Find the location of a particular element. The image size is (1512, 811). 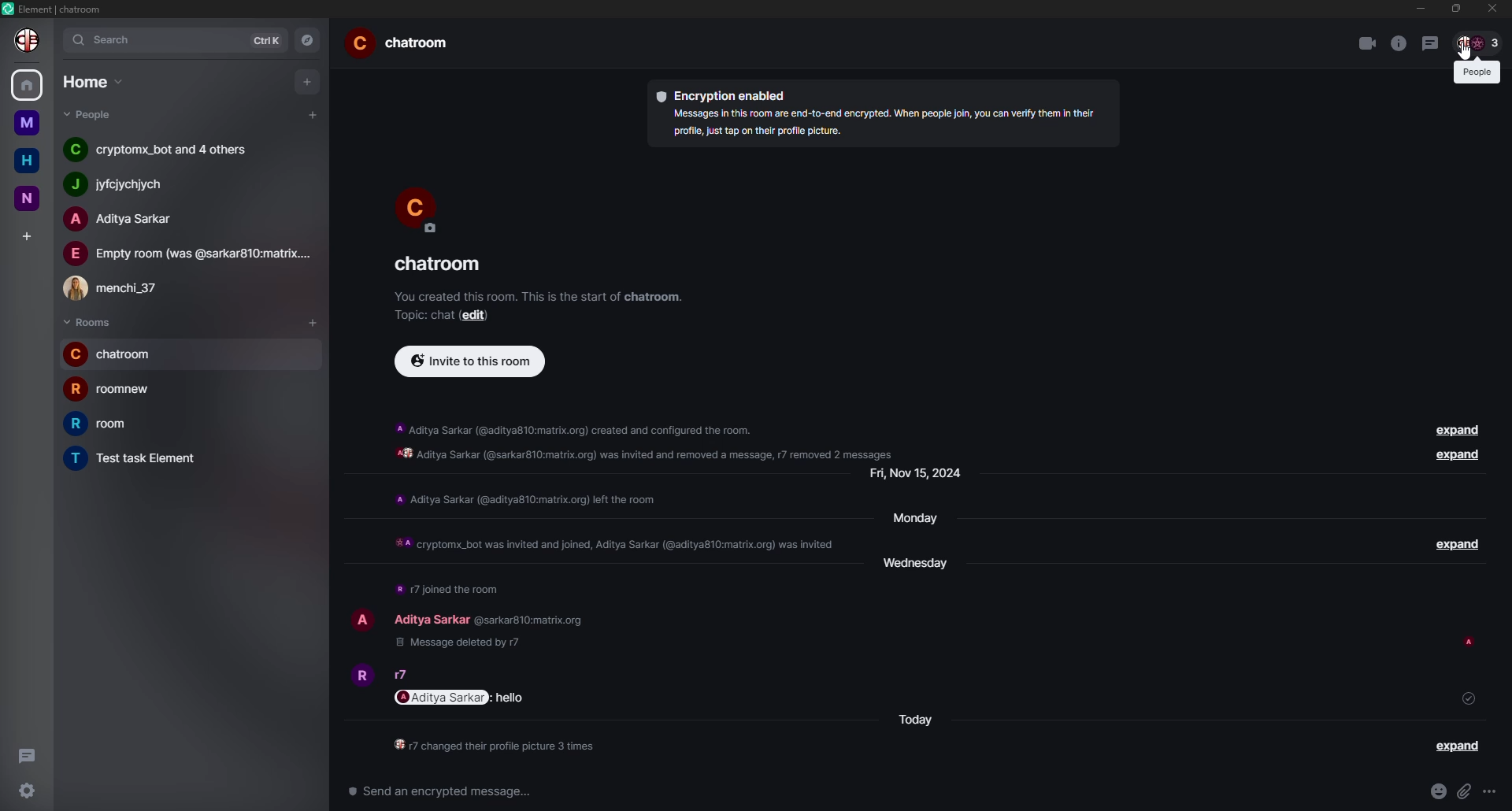

people is located at coordinates (1481, 44).